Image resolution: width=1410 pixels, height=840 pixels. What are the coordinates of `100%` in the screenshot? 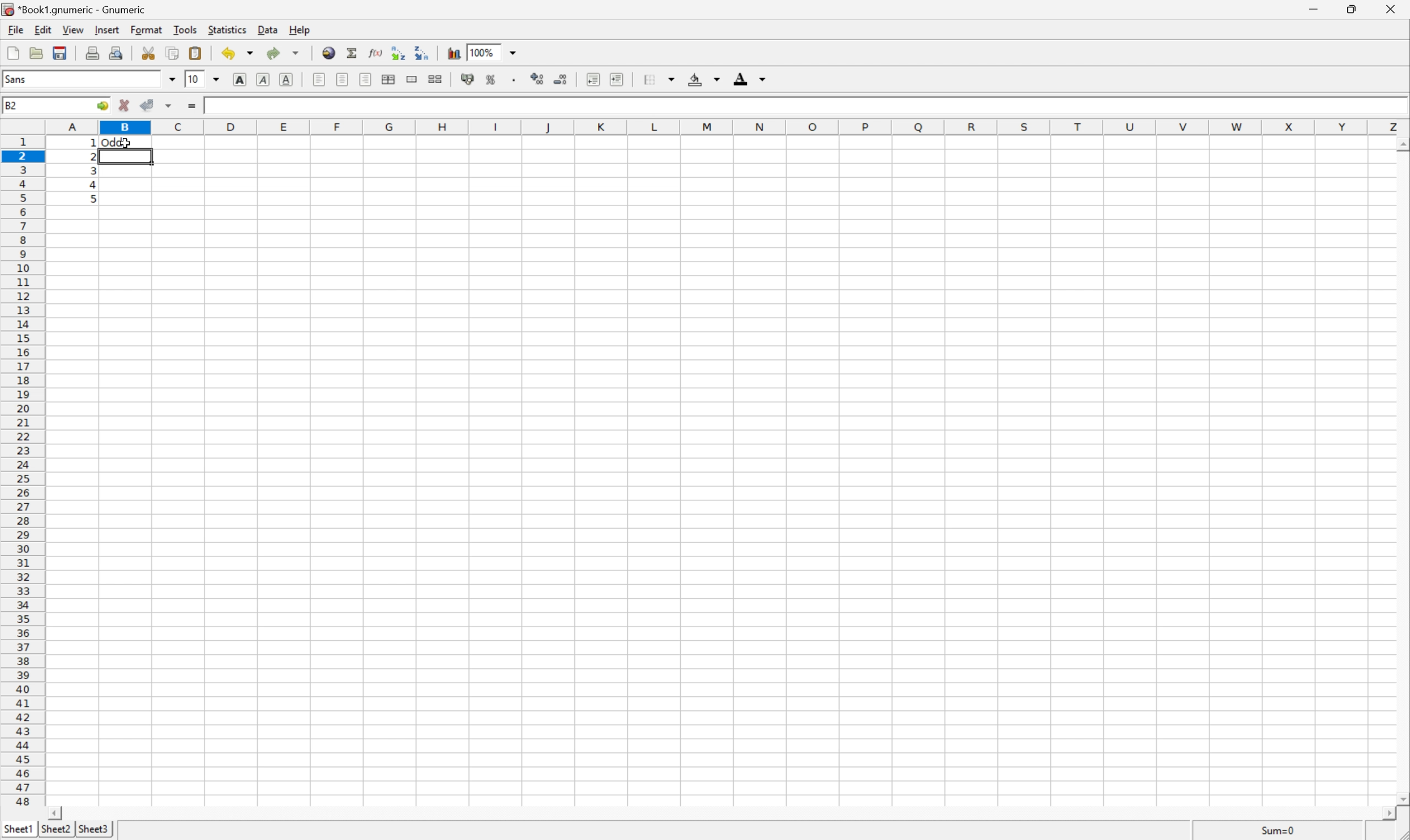 It's located at (484, 52).